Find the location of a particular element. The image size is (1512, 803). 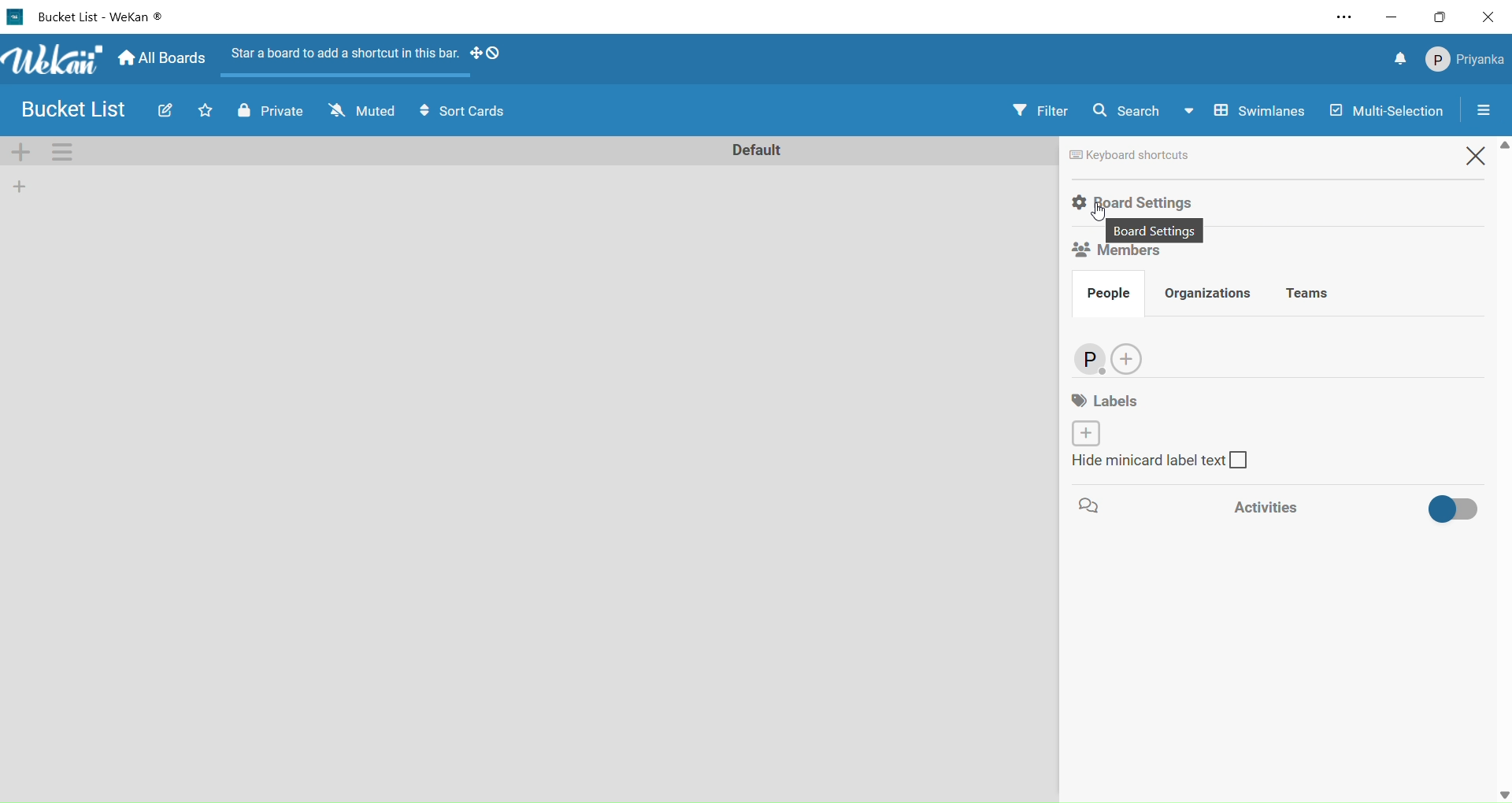

title is located at coordinates (58, 60).